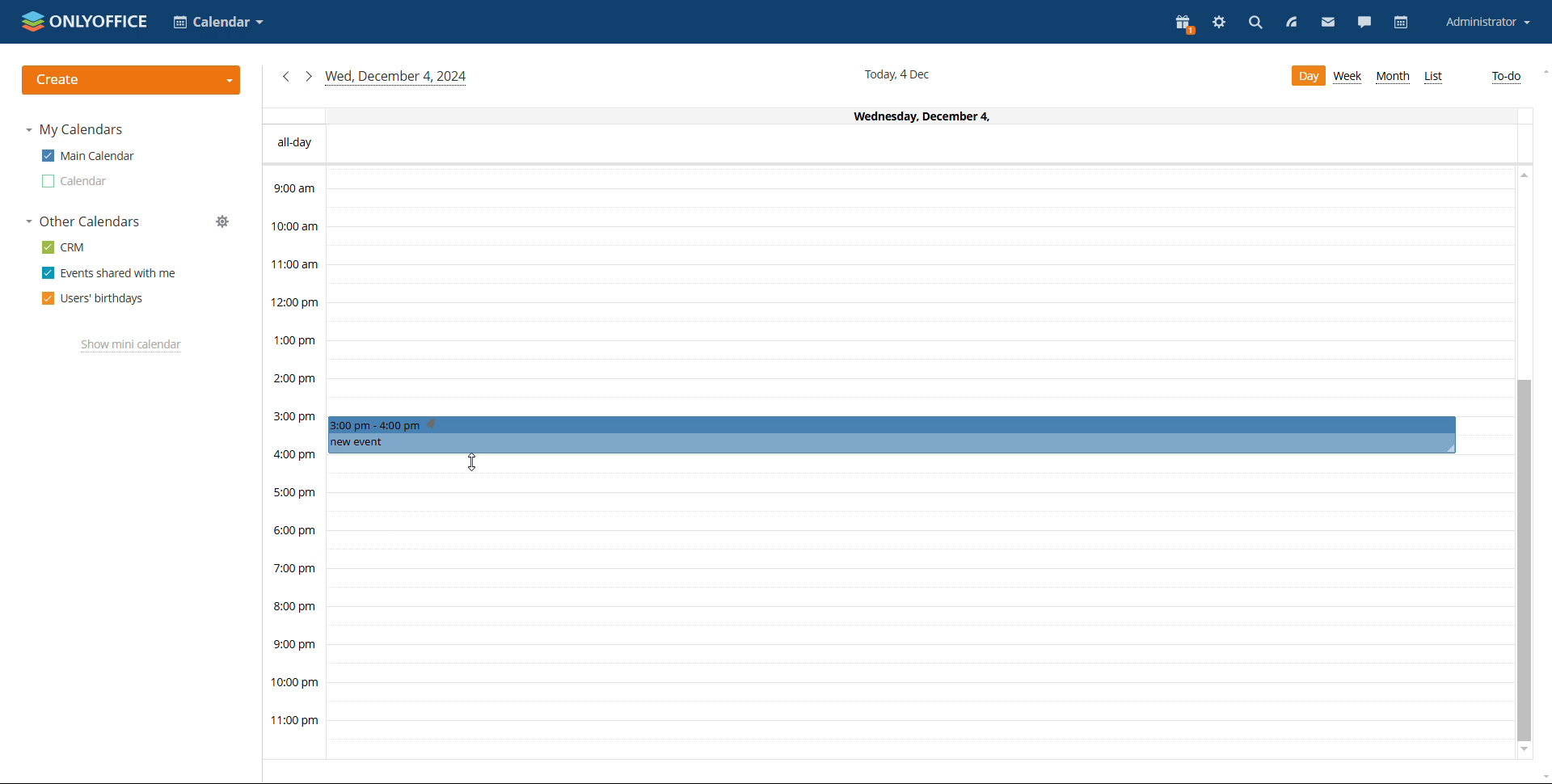 The image size is (1552, 784). I want to click on users' birthdays, so click(93, 298).